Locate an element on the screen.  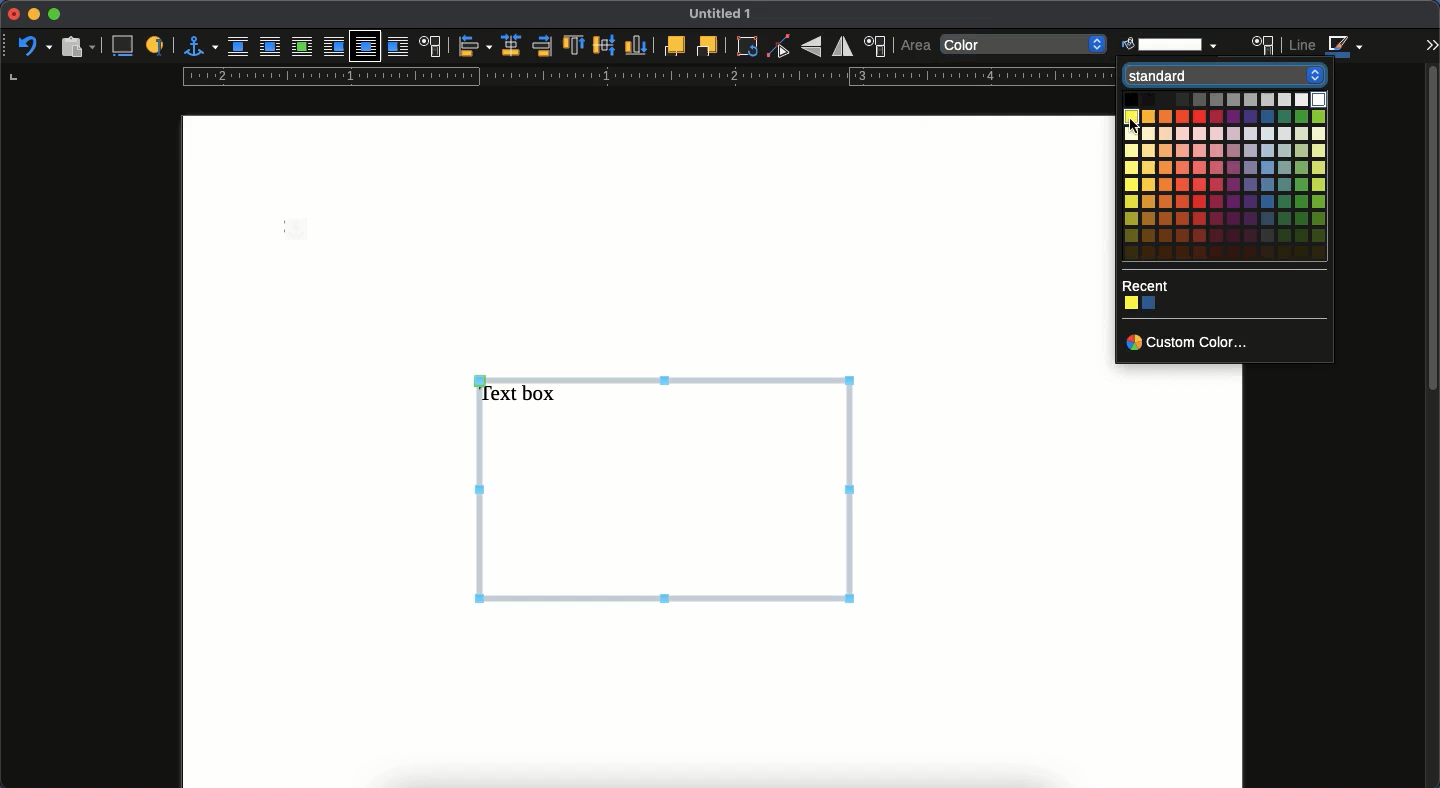
maximize is located at coordinates (56, 15).